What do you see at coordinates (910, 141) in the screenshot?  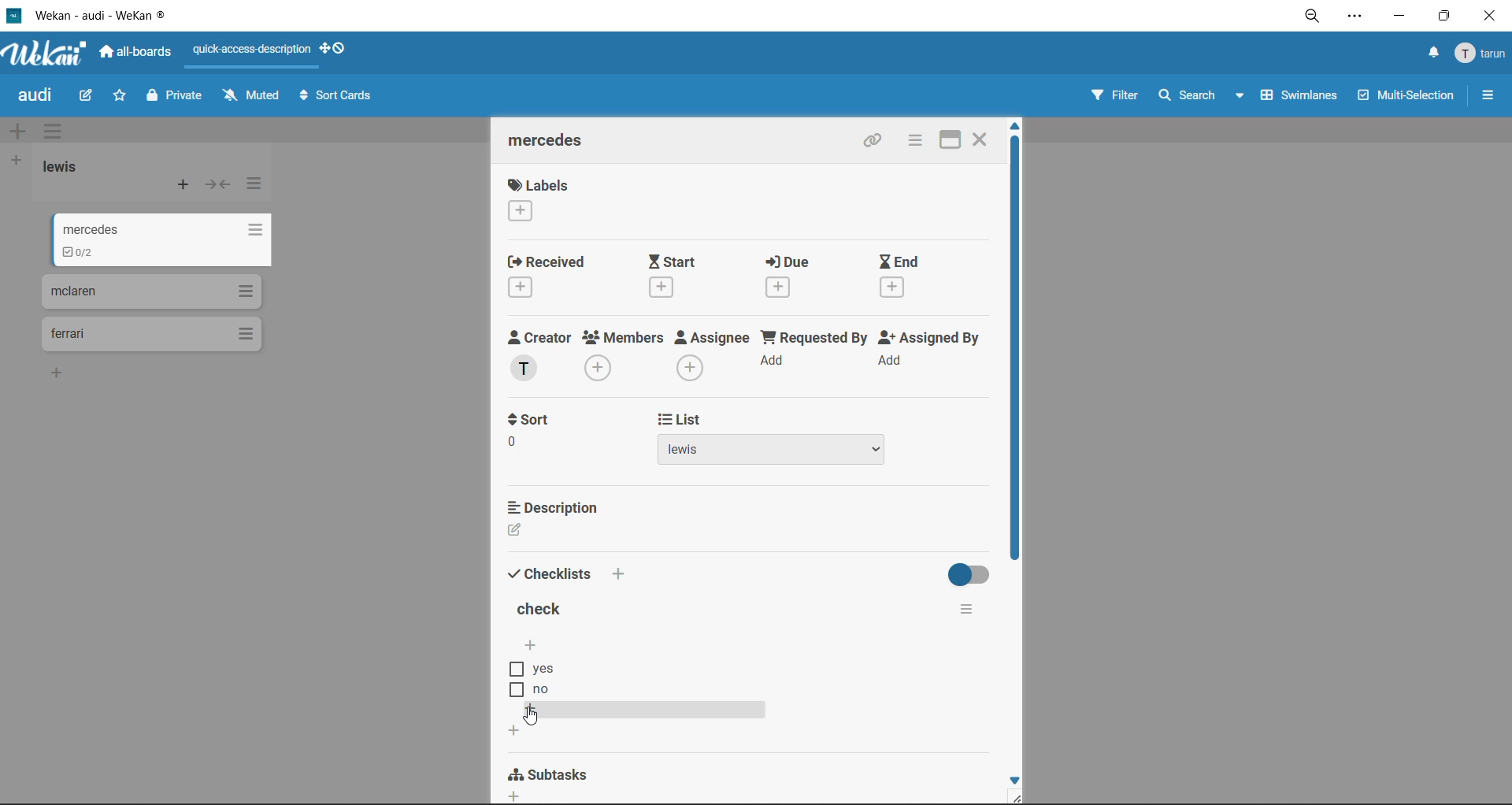 I see `card actions` at bounding box center [910, 141].